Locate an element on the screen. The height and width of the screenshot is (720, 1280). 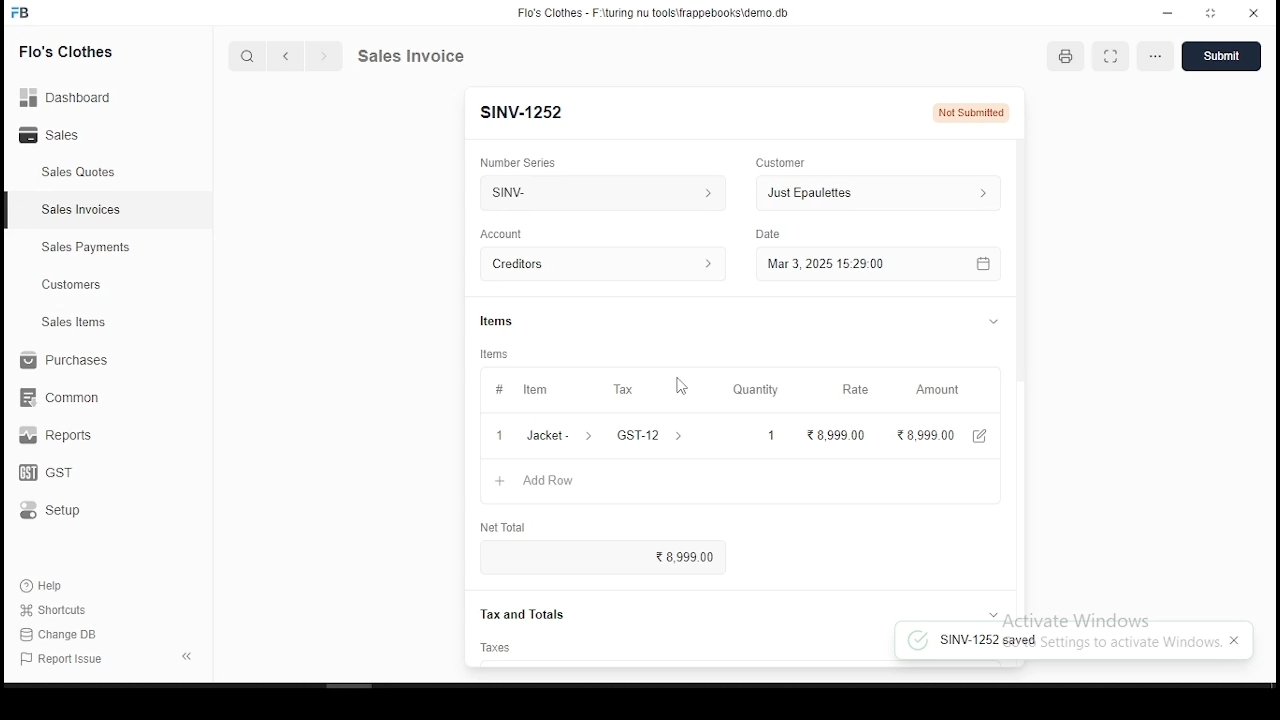
shortouts is located at coordinates (54, 610).